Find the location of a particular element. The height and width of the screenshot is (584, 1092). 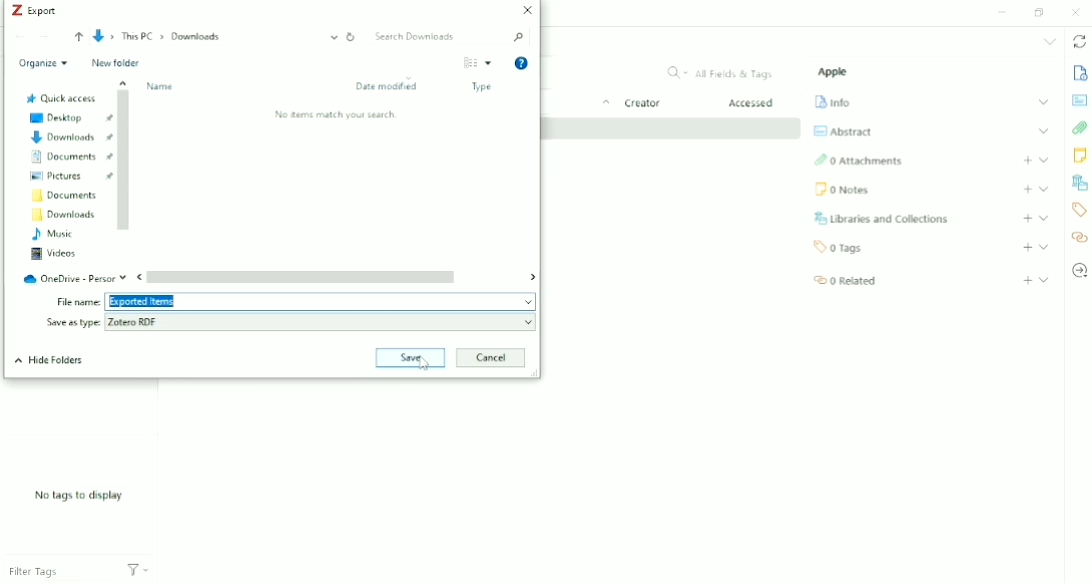

No tags to display is located at coordinates (77, 495).